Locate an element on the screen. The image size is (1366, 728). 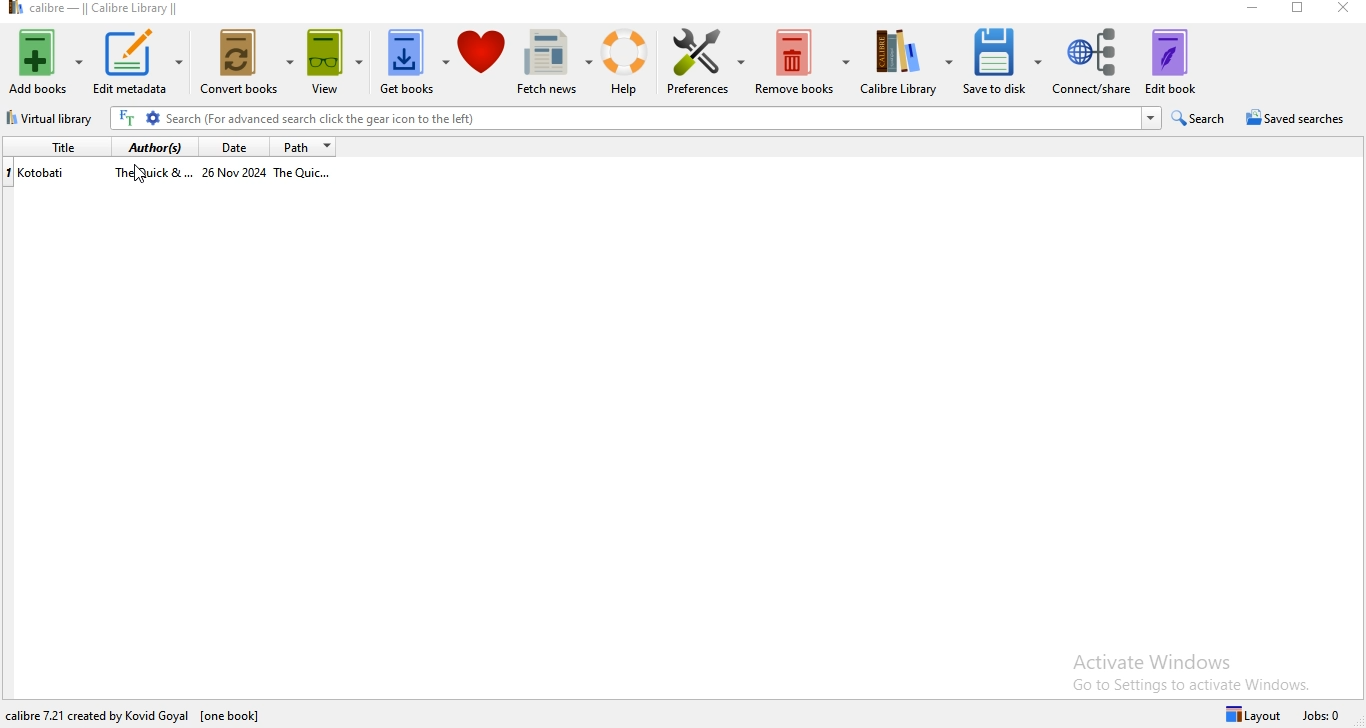
author(s) is located at coordinates (157, 149).